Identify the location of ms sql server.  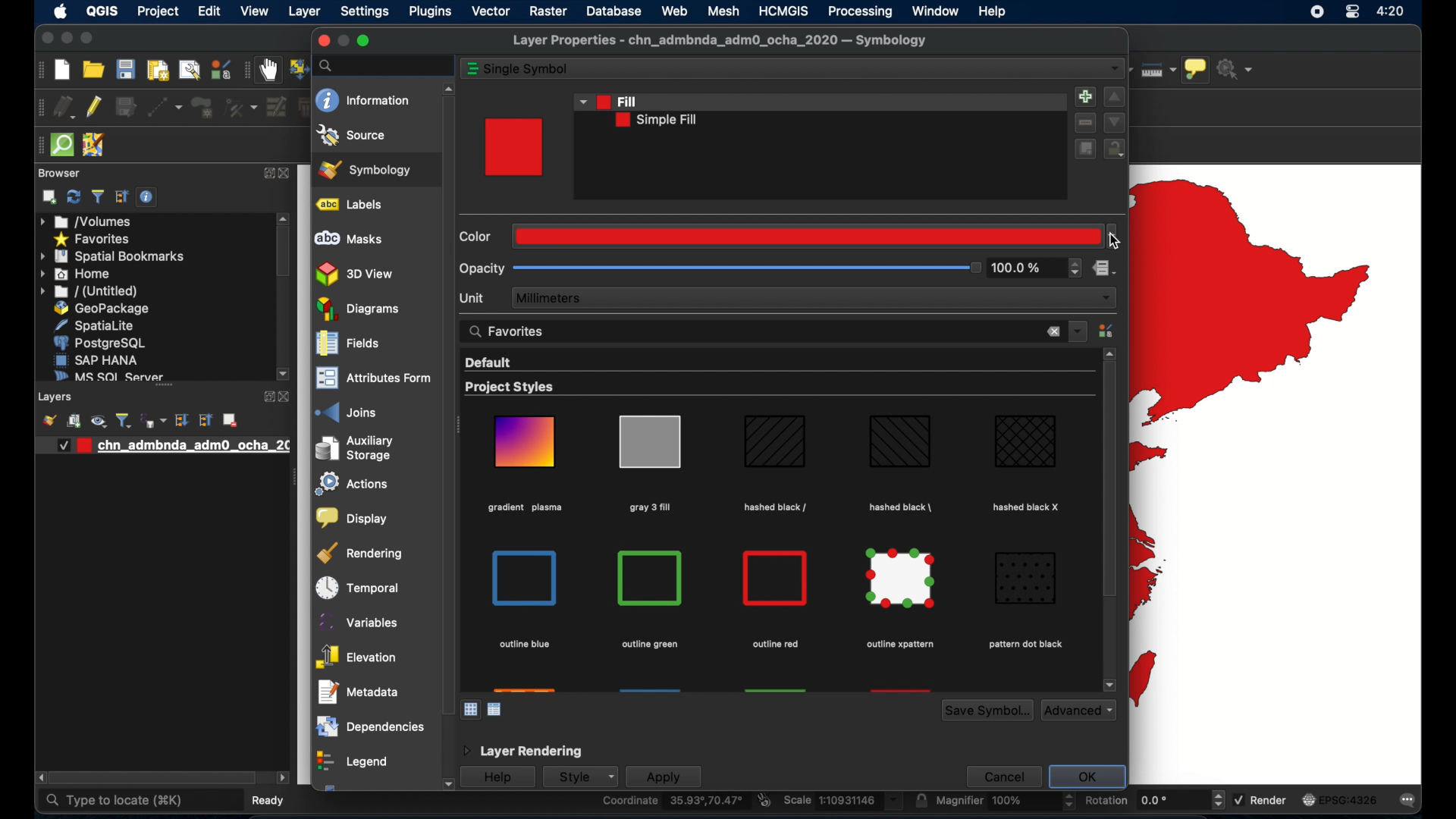
(106, 375).